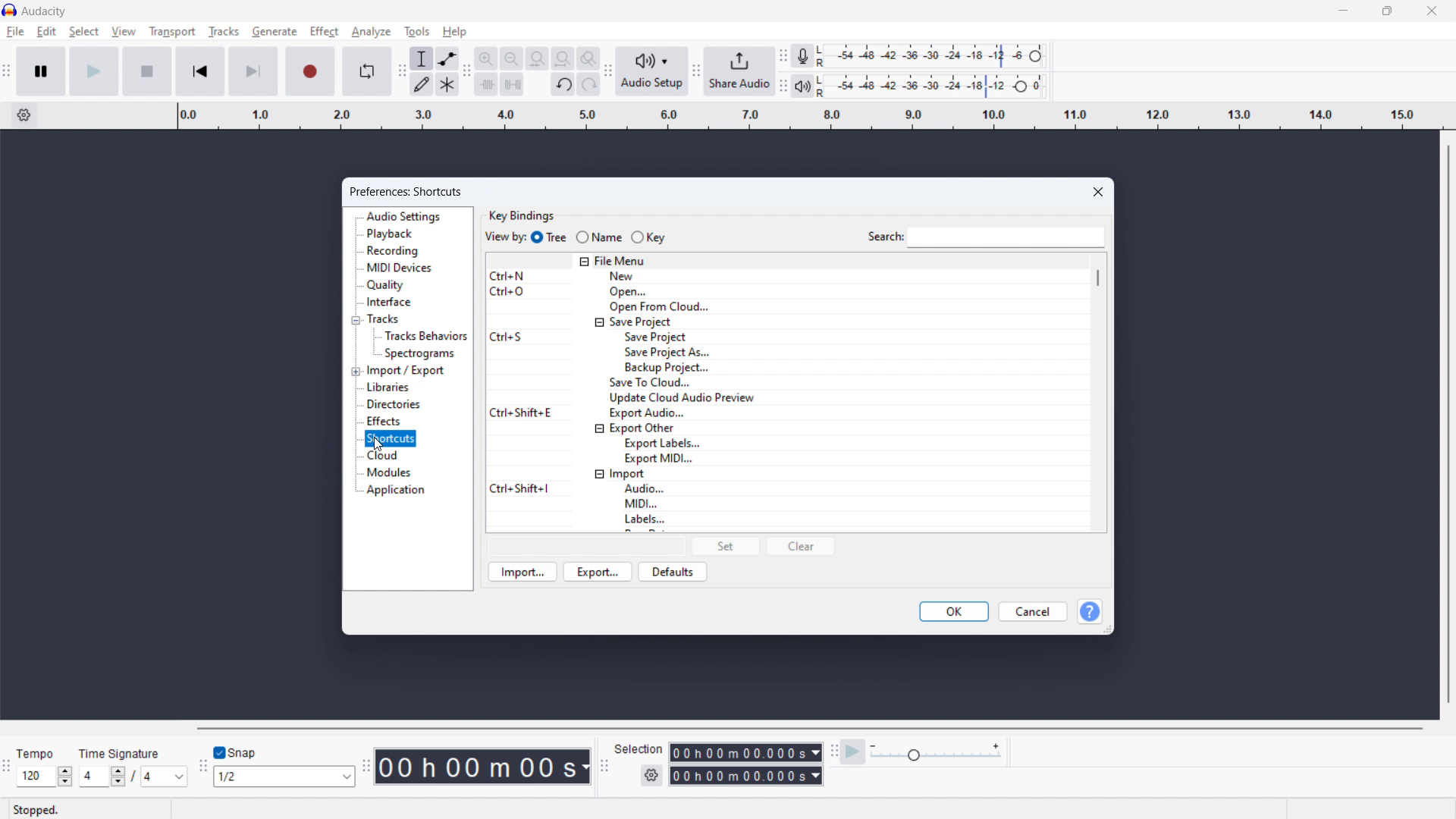  Describe the element at coordinates (816, 117) in the screenshot. I see `timeline` at that location.